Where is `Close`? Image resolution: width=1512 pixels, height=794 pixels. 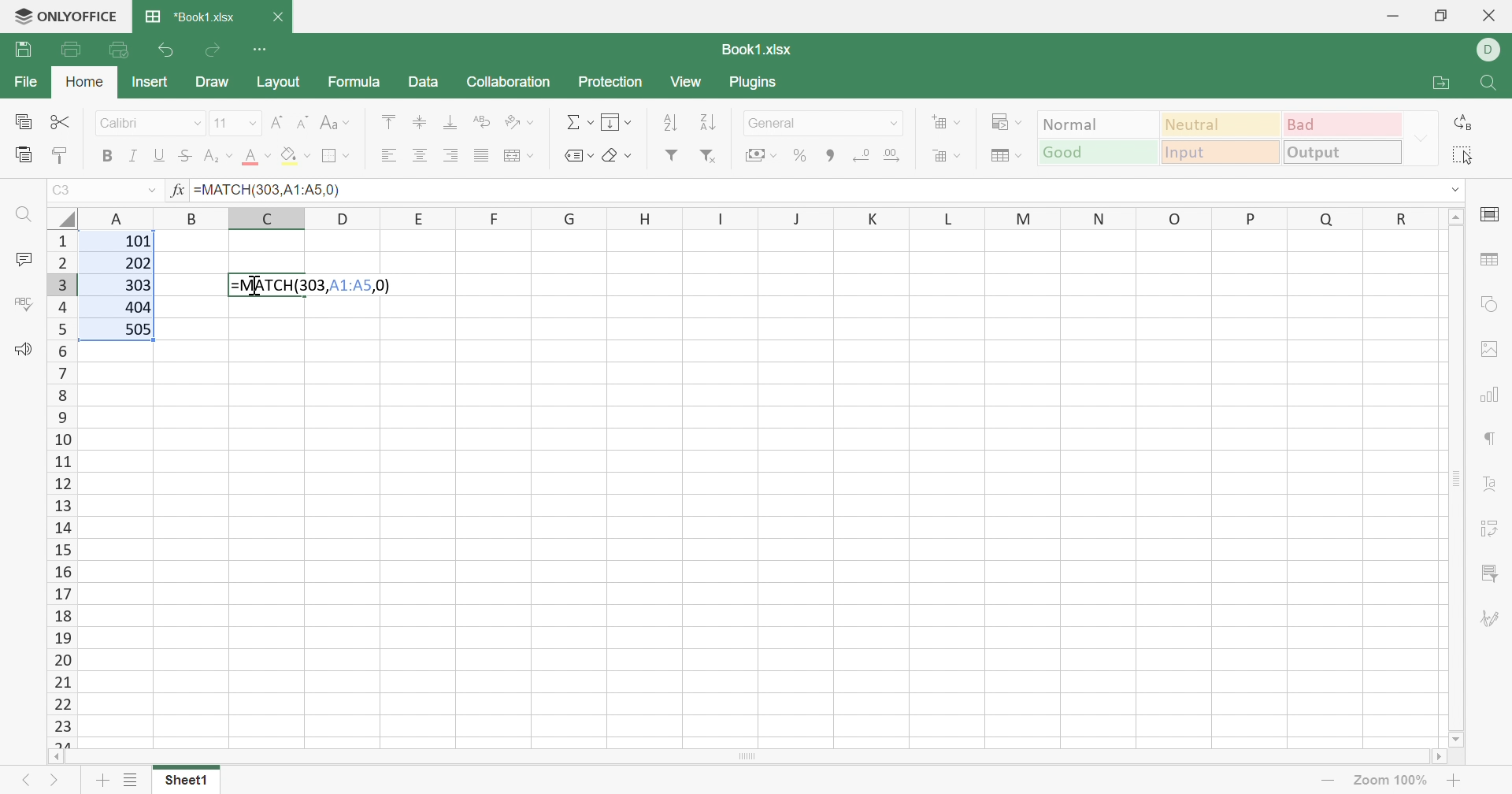
Close is located at coordinates (282, 15).